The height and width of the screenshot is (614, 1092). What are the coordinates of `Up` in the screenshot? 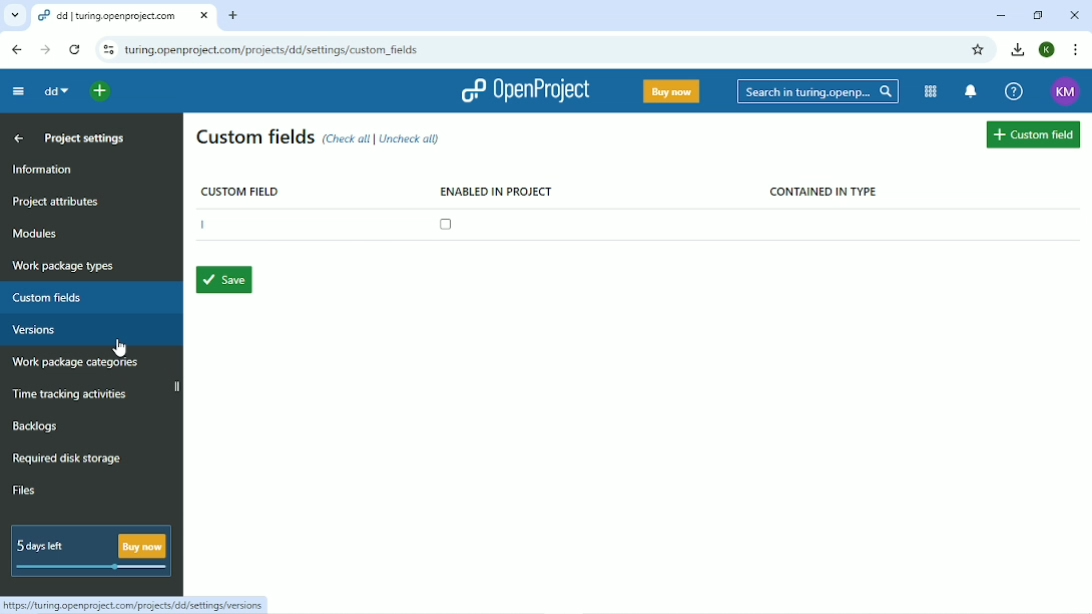 It's located at (16, 138).